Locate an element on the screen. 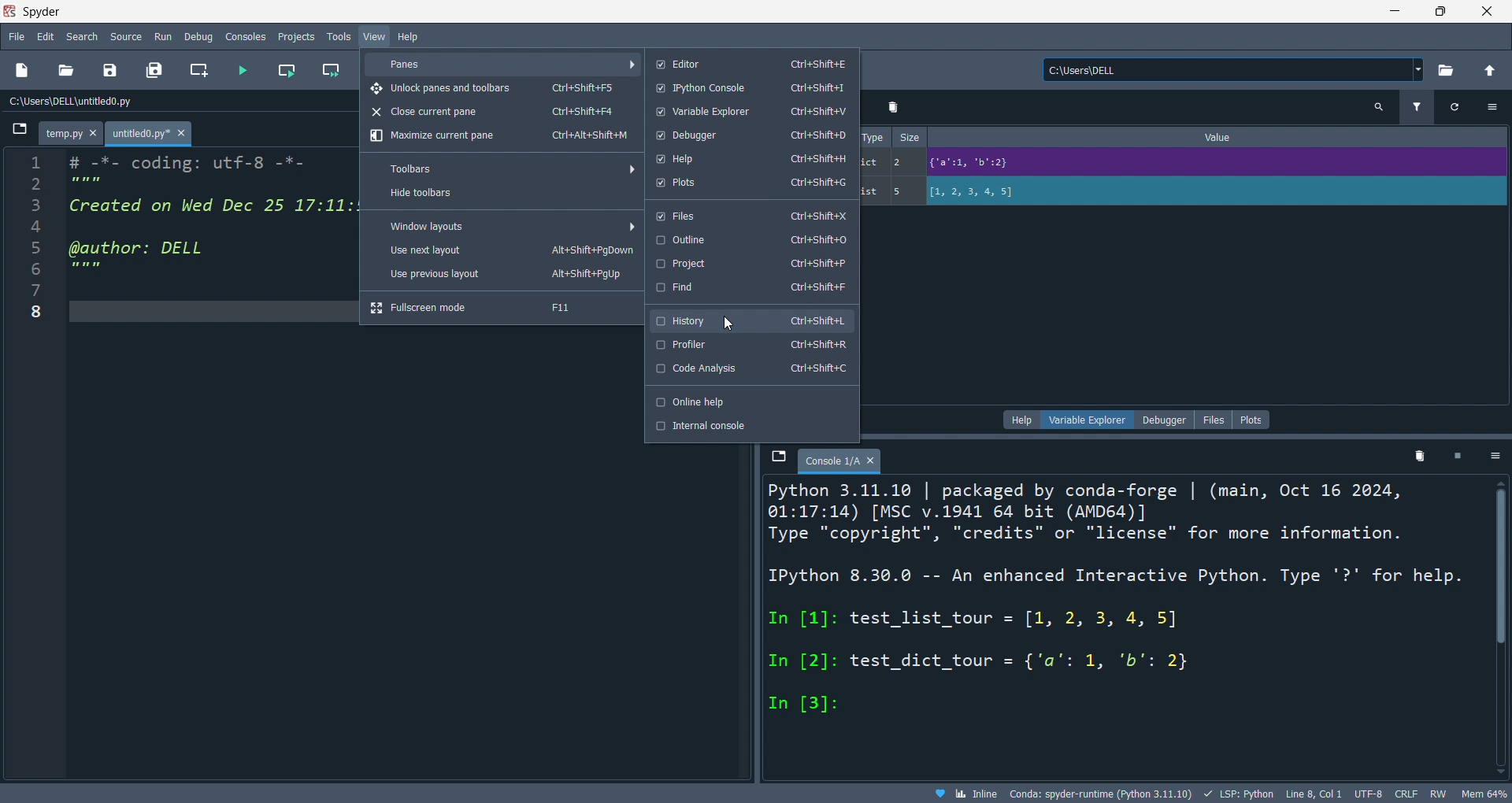  files is located at coordinates (1212, 419).